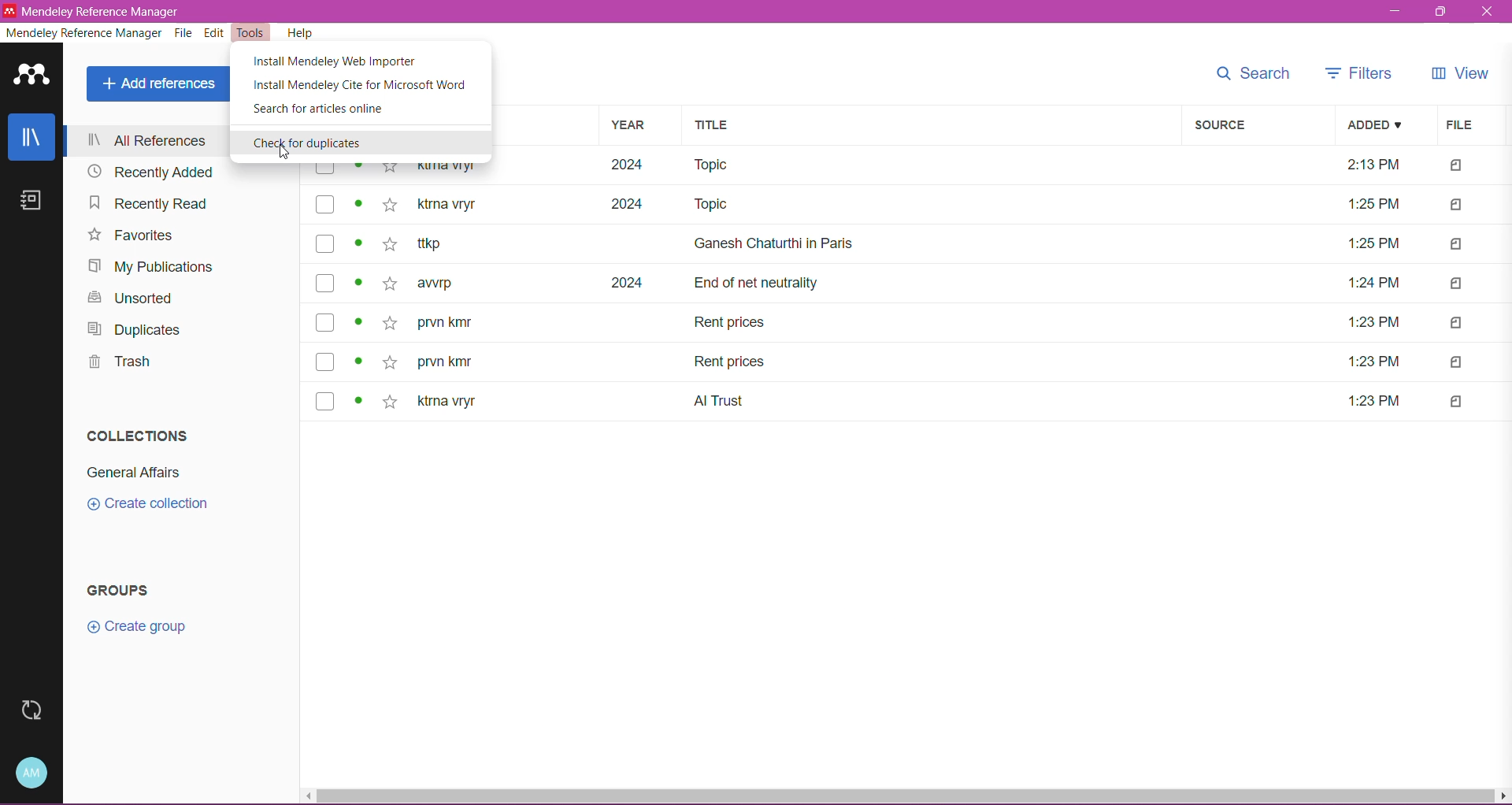 This screenshot has width=1512, height=805. What do you see at coordinates (391, 327) in the screenshot?
I see `favourite` at bounding box center [391, 327].